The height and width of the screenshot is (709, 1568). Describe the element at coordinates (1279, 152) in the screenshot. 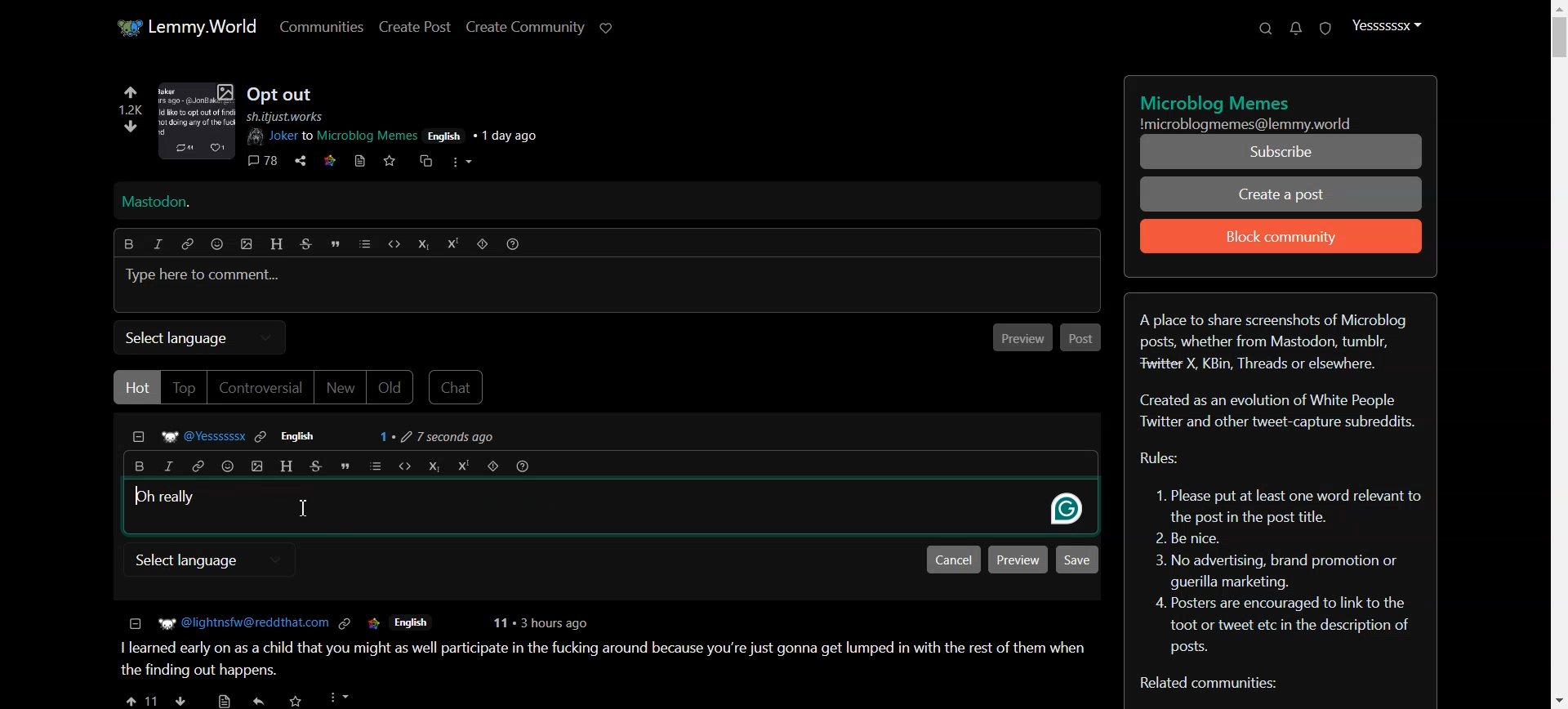

I see `Subscribe` at that location.